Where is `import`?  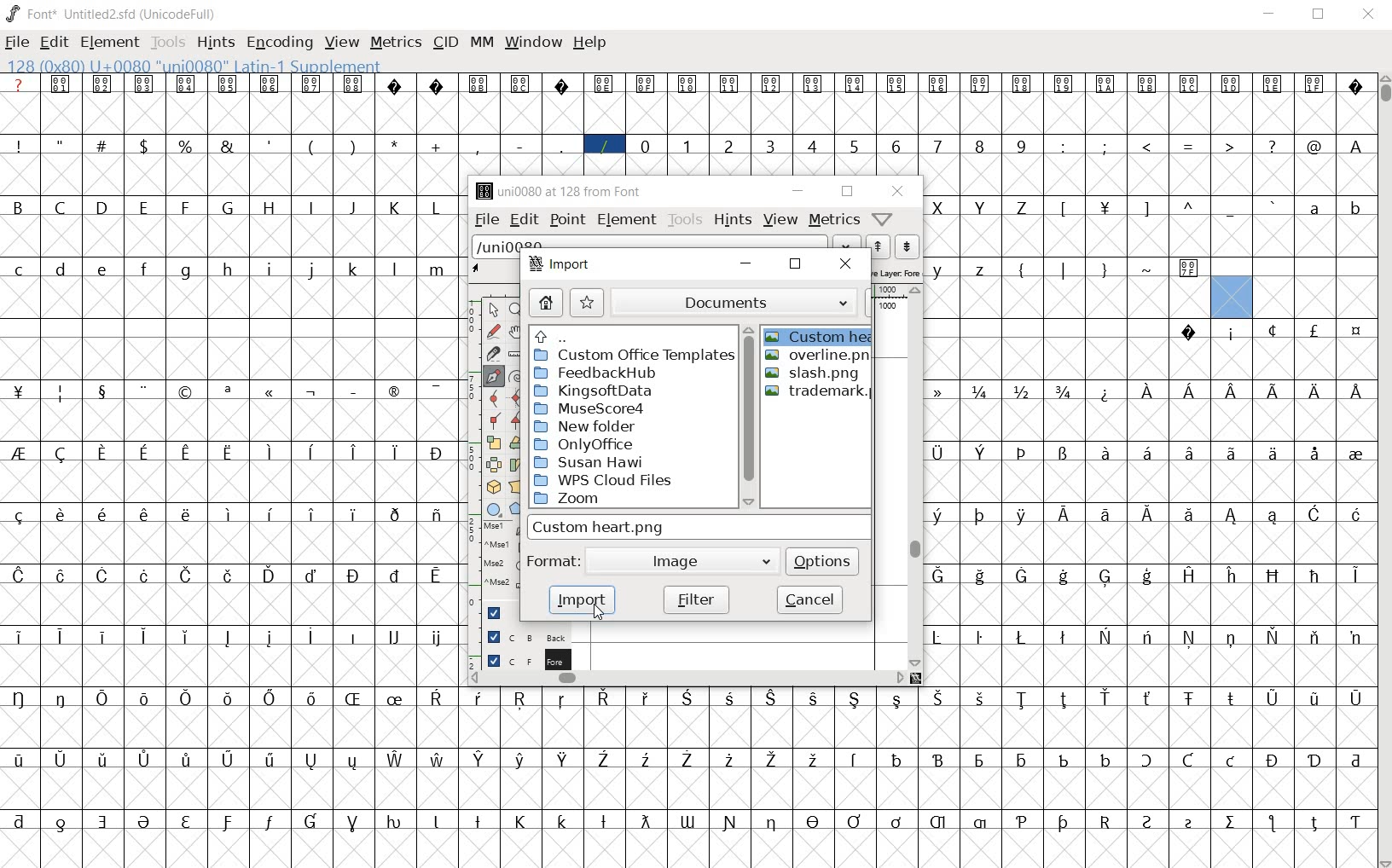 import is located at coordinates (559, 263).